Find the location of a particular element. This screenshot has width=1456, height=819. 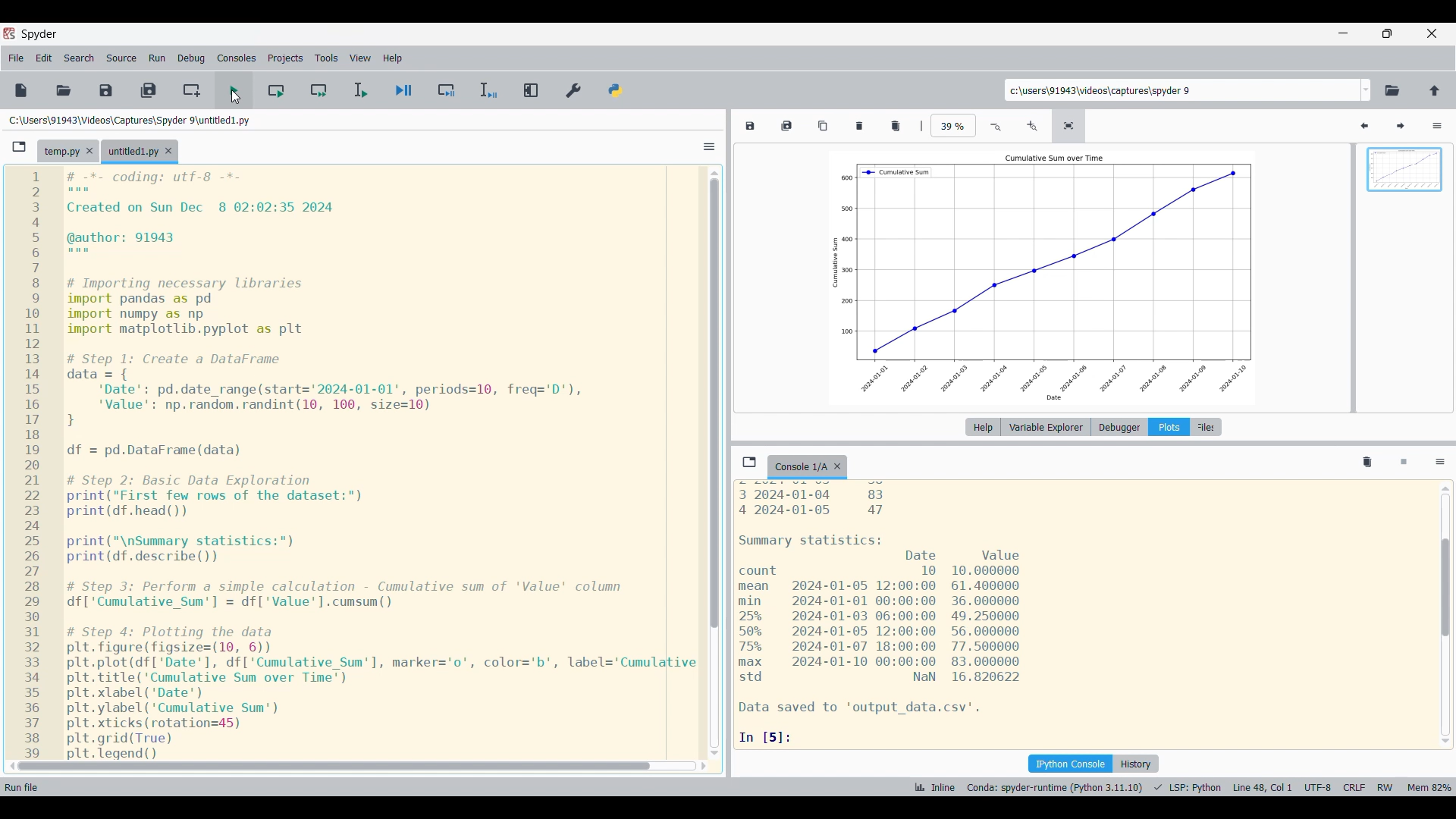

Change to parent directory is located at coordinates (1435, 91).